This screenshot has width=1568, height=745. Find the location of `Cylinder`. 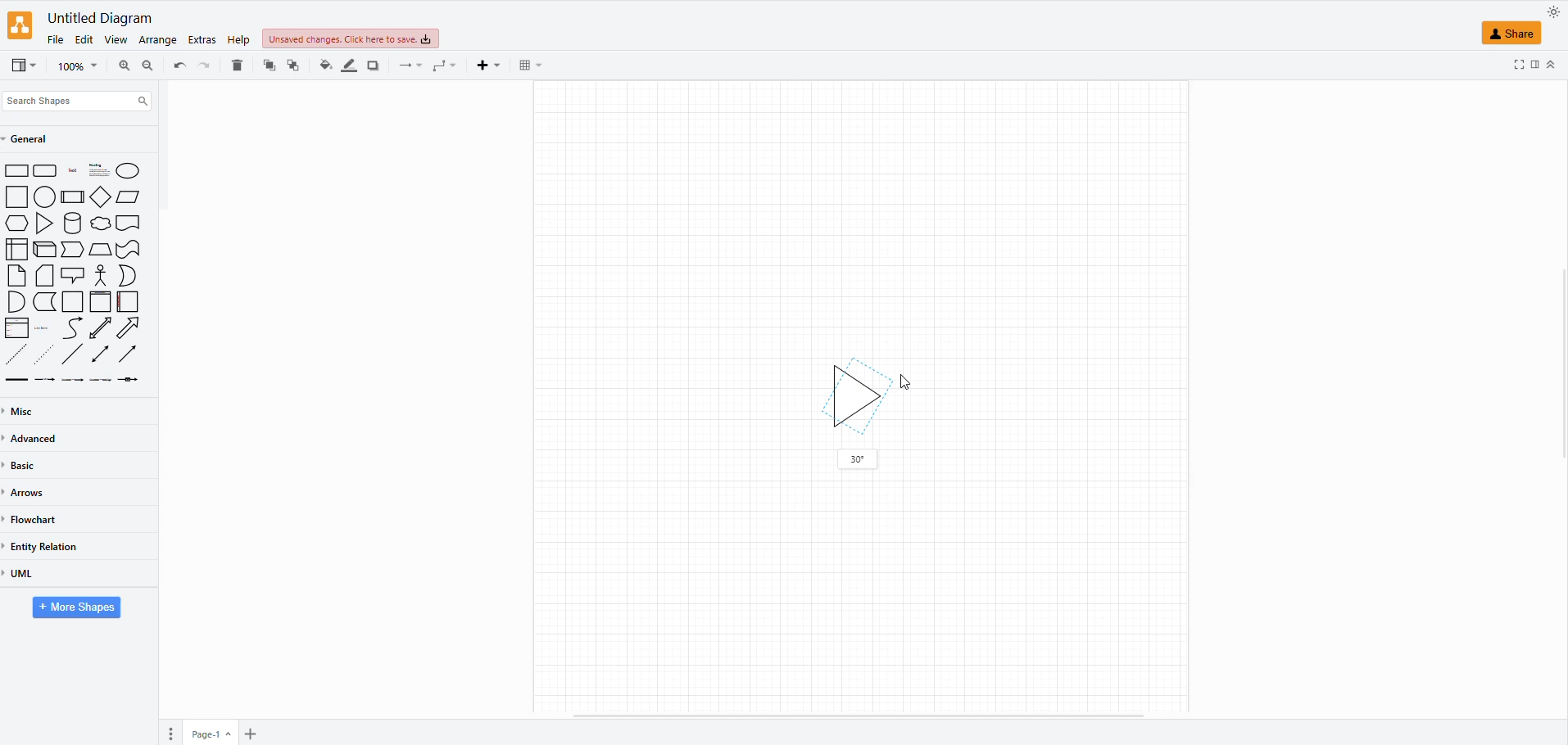

Cylinder is located at coordinates (74, 223).